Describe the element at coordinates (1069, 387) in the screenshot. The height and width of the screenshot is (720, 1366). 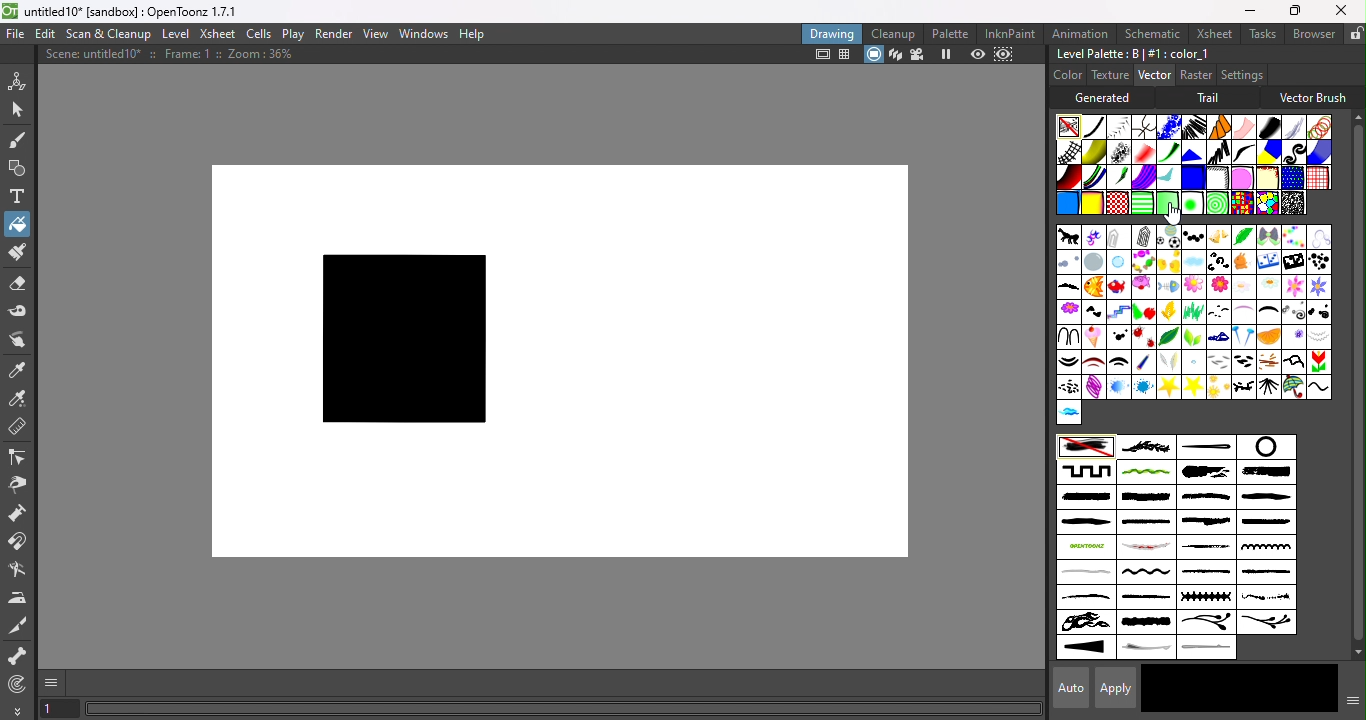
I see `Sign` at that location.